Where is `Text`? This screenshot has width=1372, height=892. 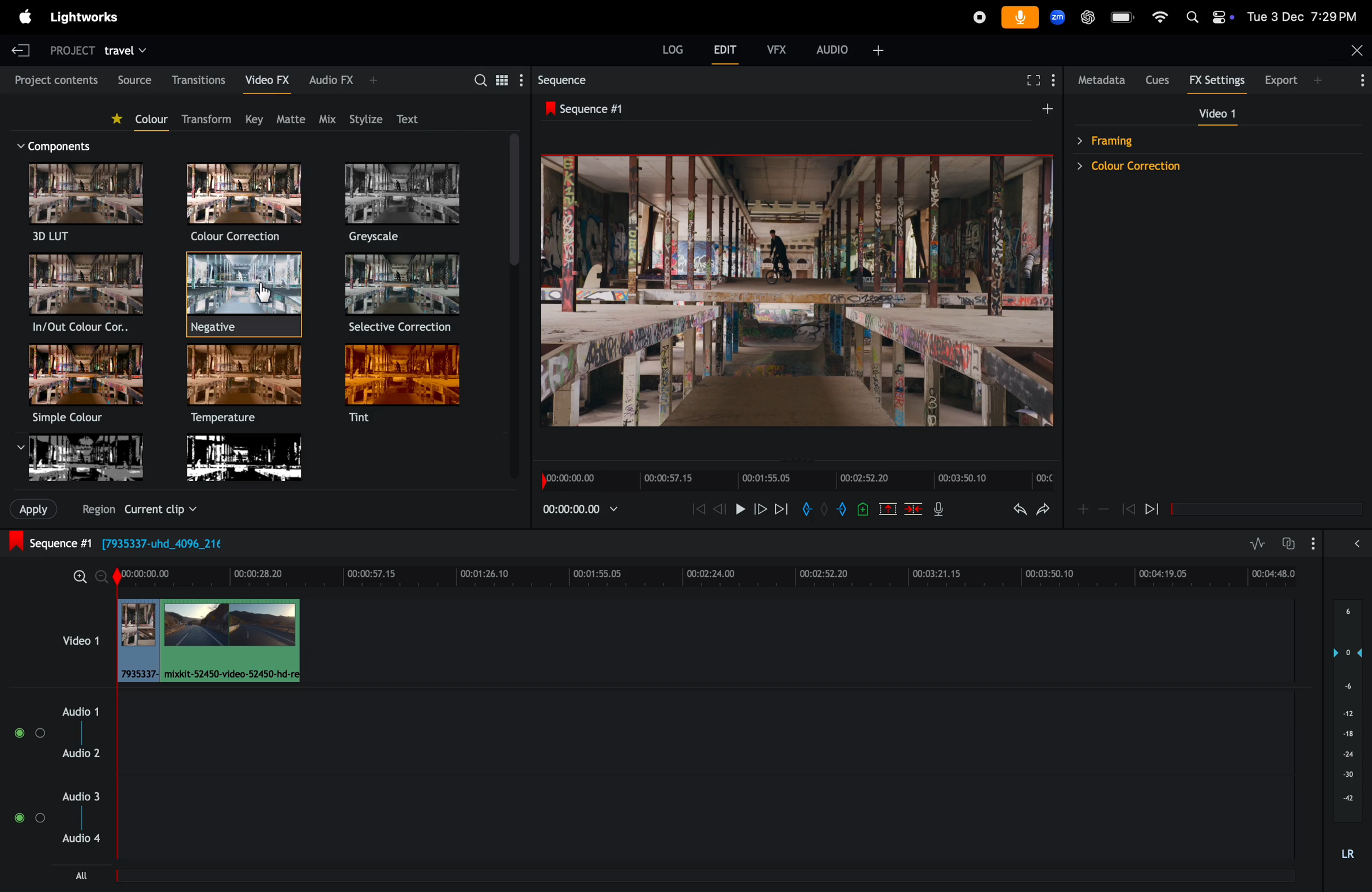
Text is located at coordinates (413, 119).